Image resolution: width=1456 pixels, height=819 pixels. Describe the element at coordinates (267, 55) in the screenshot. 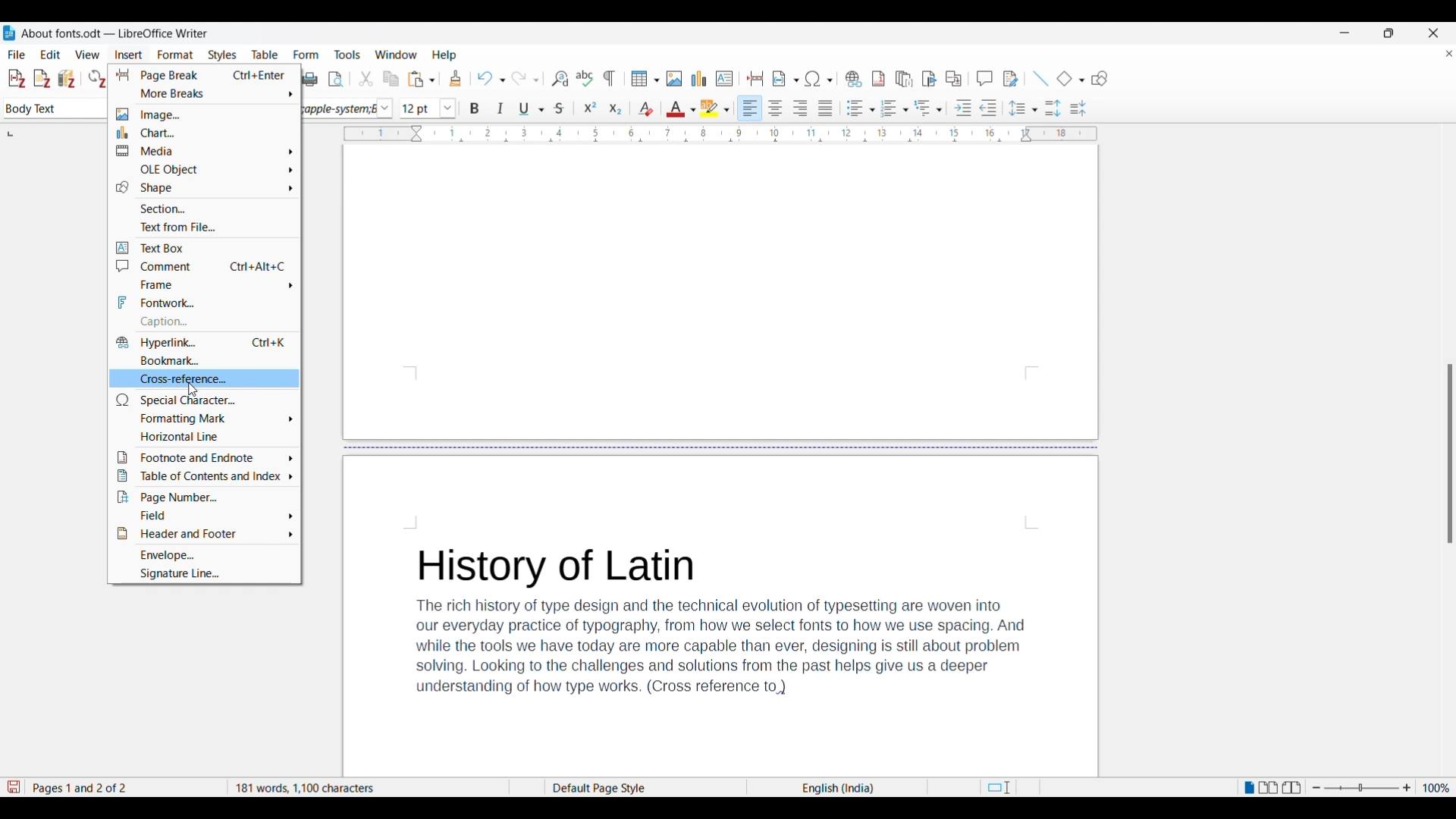

I see `Table` at that location.